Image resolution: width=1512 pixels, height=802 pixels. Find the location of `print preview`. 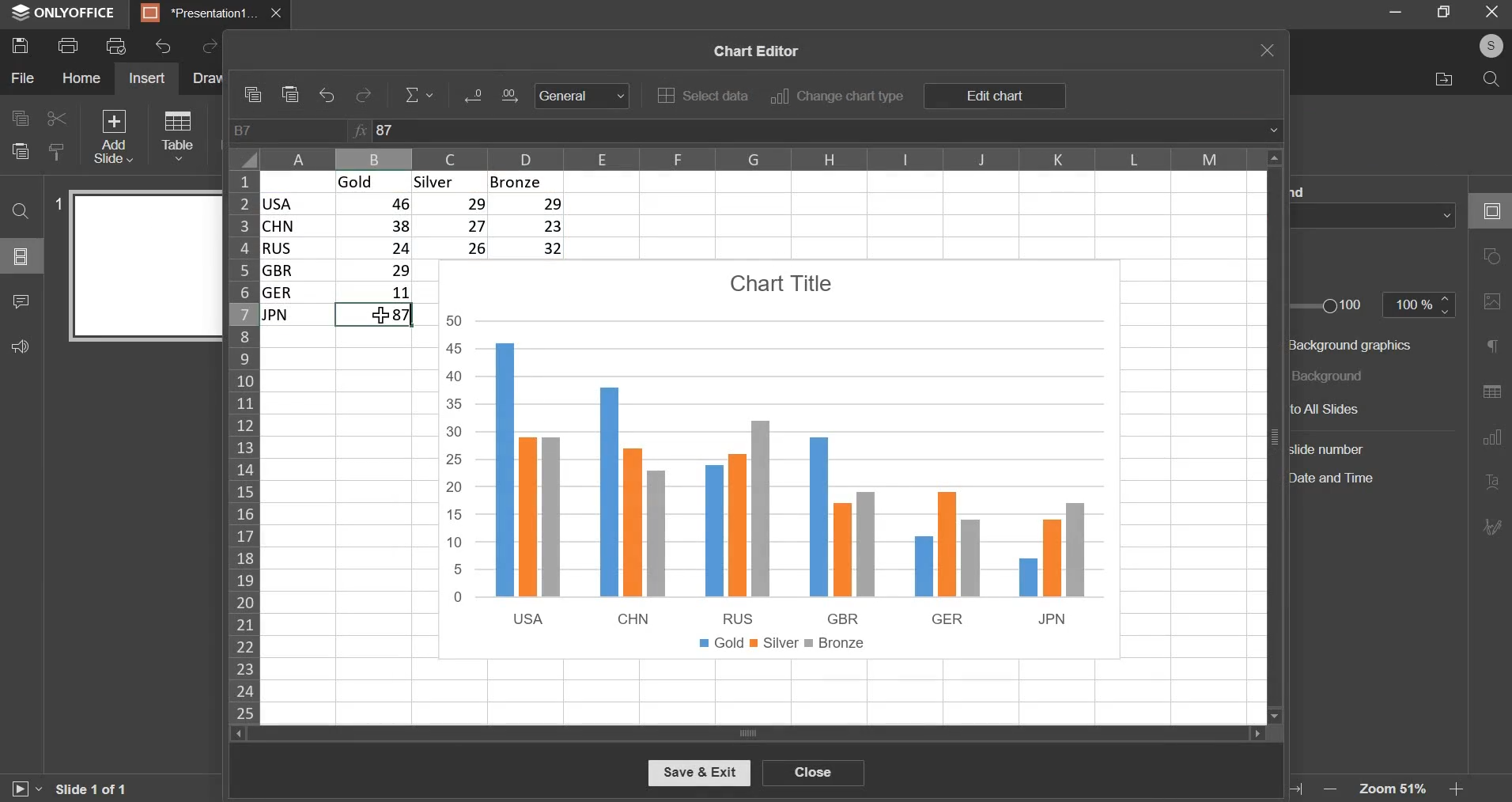

print preview is located at coordinates (116, 45).